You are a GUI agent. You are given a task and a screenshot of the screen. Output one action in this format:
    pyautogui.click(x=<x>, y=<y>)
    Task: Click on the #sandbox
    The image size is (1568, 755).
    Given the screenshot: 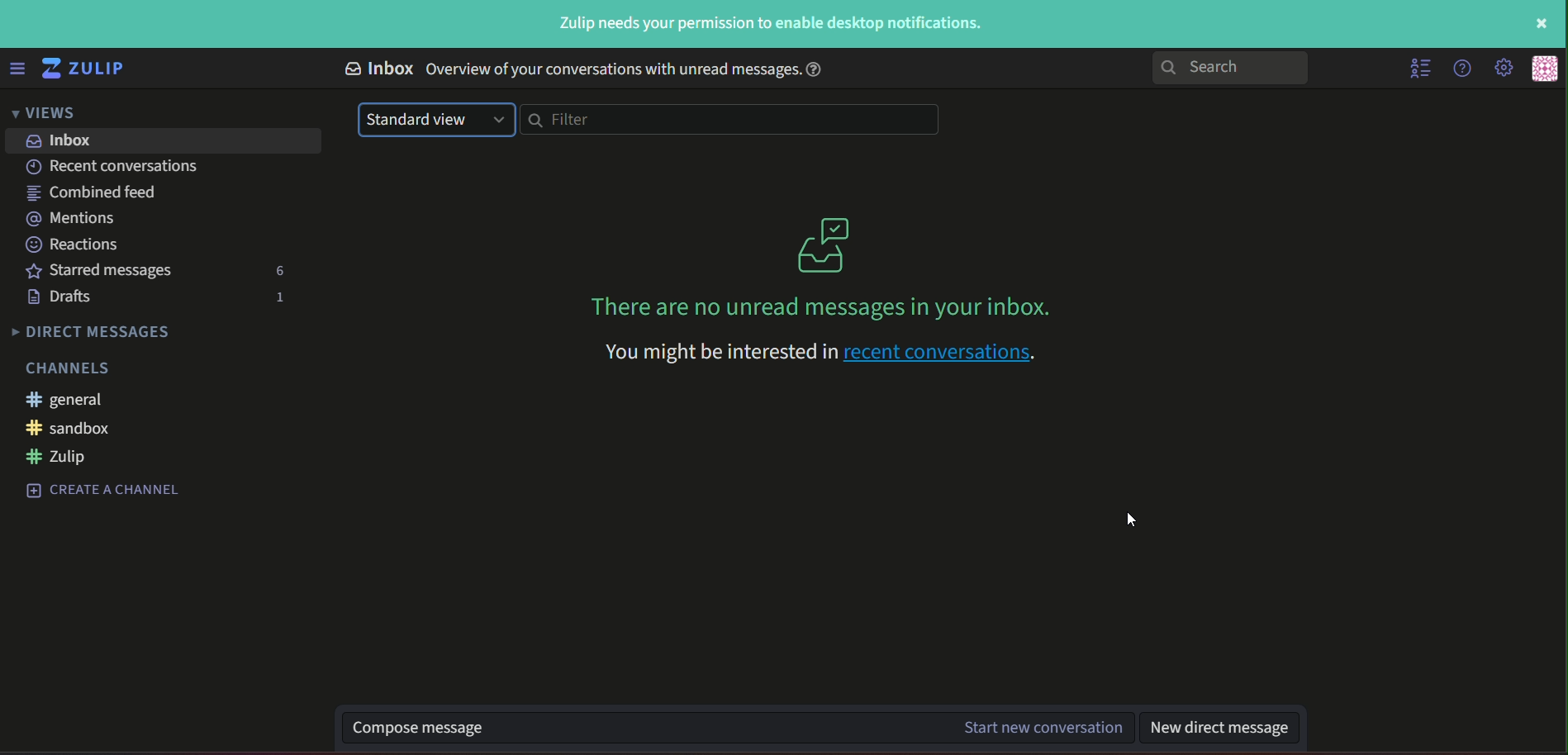 What is the action you would take?
    pyautogui.click(x=70, y=428)
    